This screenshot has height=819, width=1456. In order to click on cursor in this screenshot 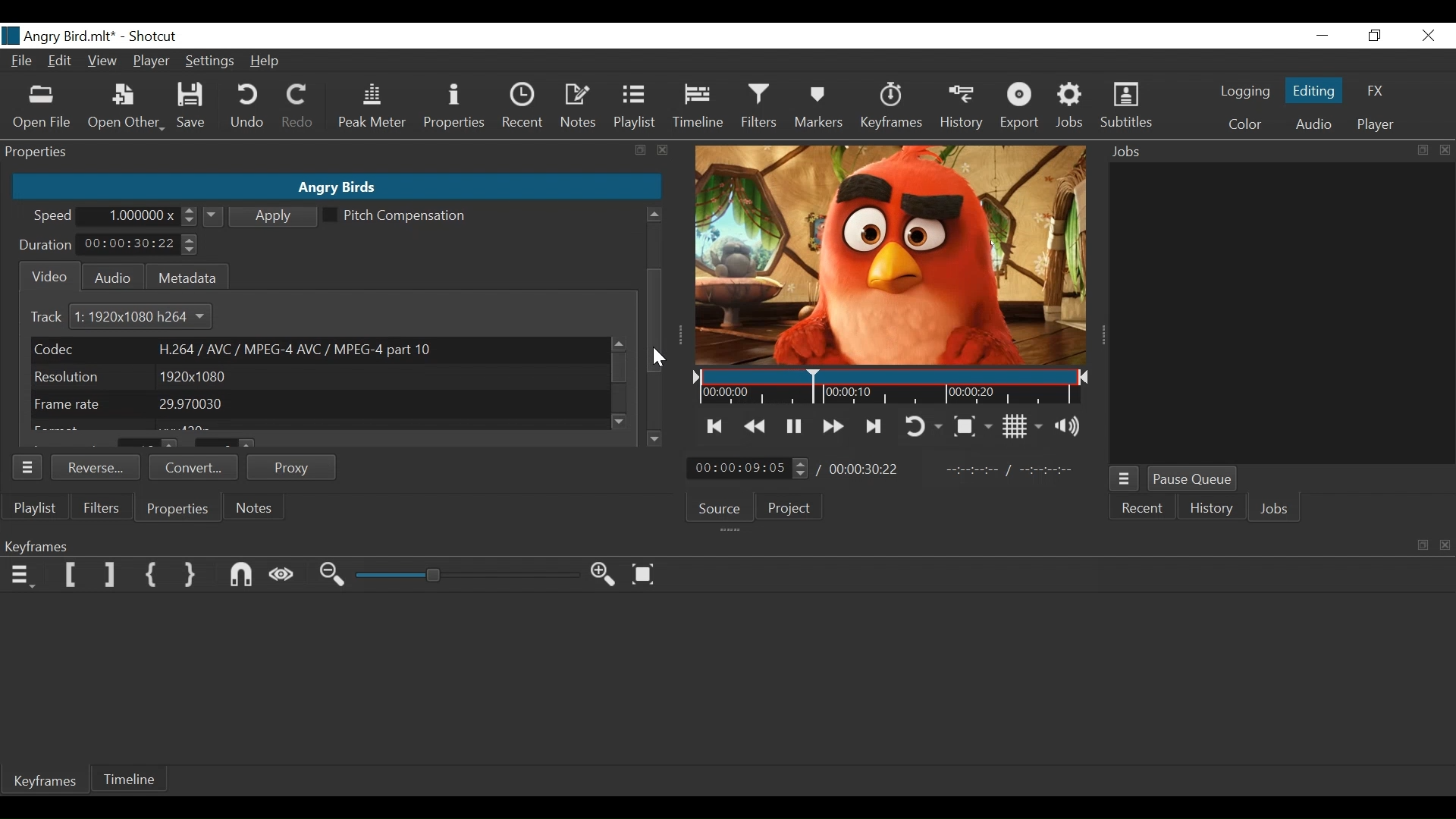, I will do `click(656, 311)`.